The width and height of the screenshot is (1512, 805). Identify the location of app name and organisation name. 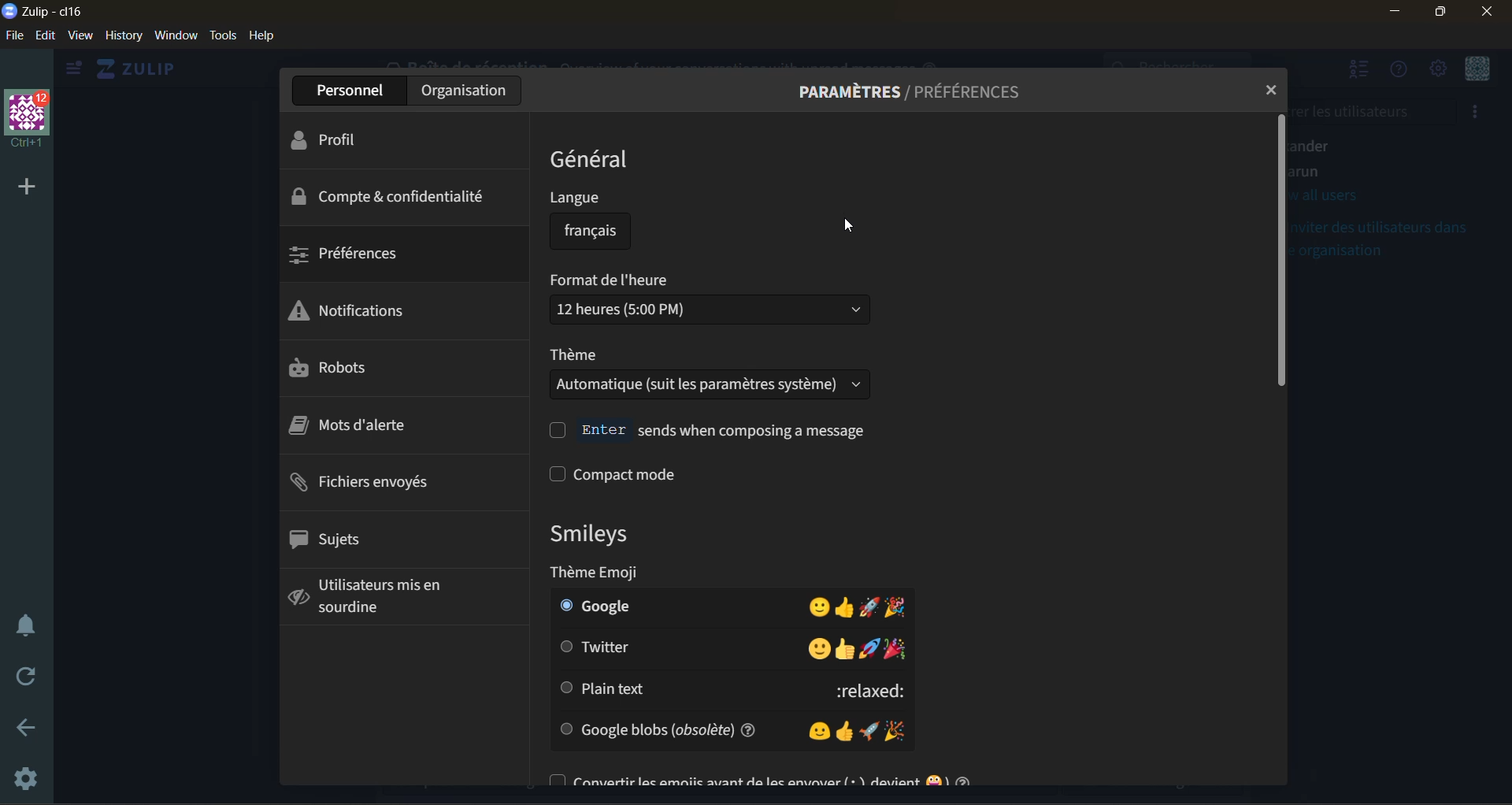
(46, 13).